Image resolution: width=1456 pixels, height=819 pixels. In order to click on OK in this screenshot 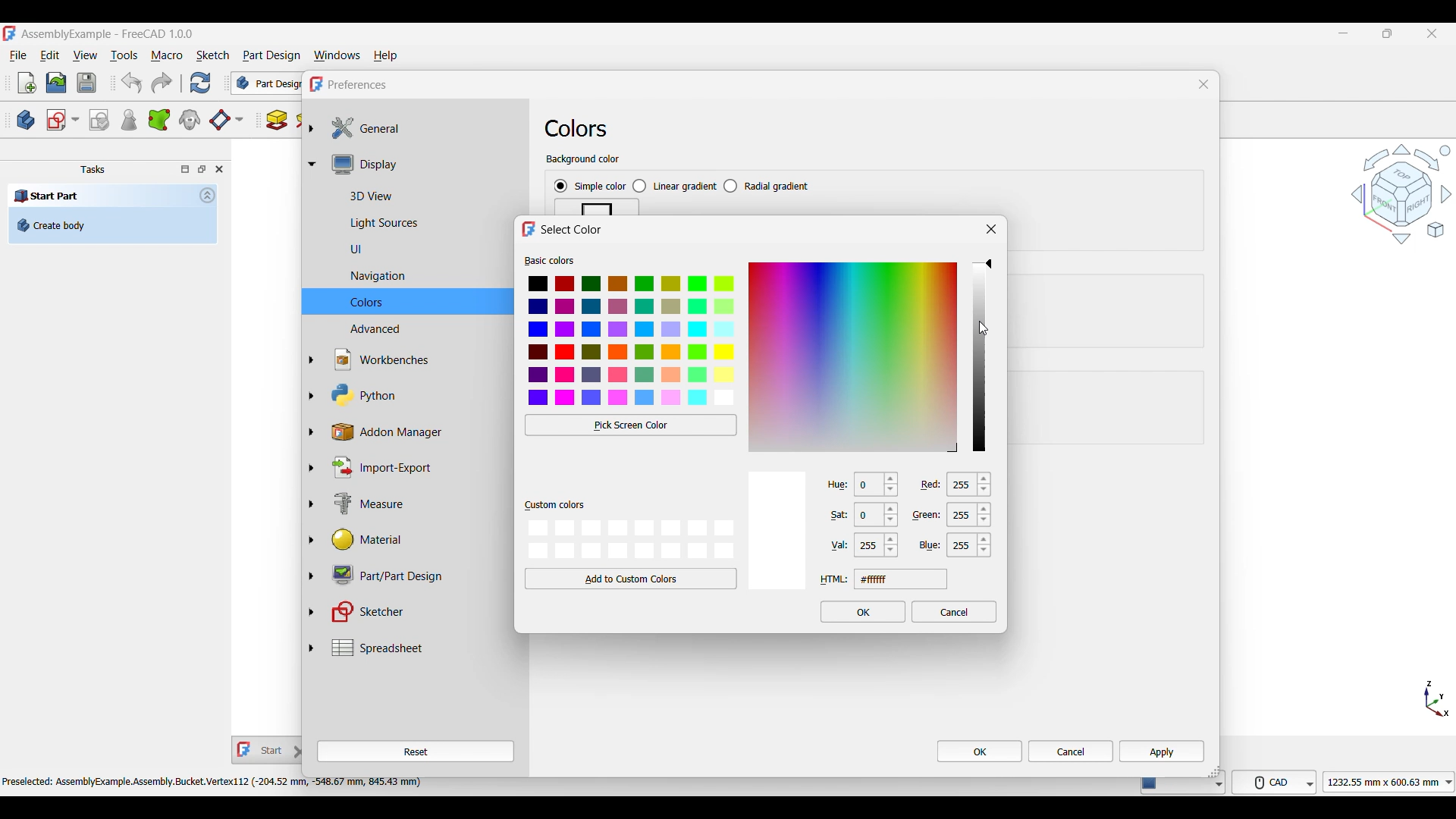, I will do `click(980, 751)`.